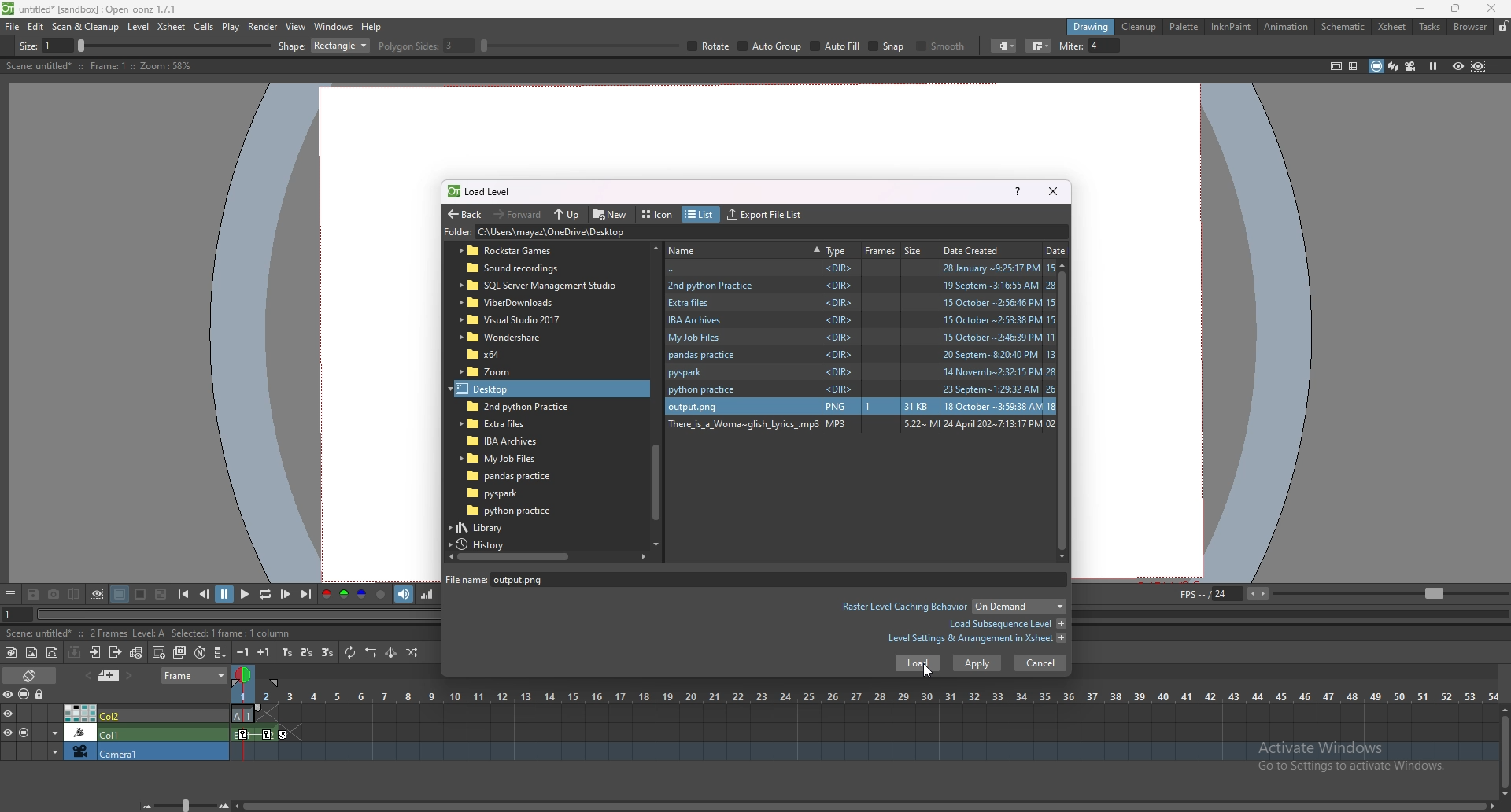 This screenshot has width=1511, height=812. What do you see at coordinates (1471, 27) in the screenshot?
I see `browser` at bounding box center [1471, 27].